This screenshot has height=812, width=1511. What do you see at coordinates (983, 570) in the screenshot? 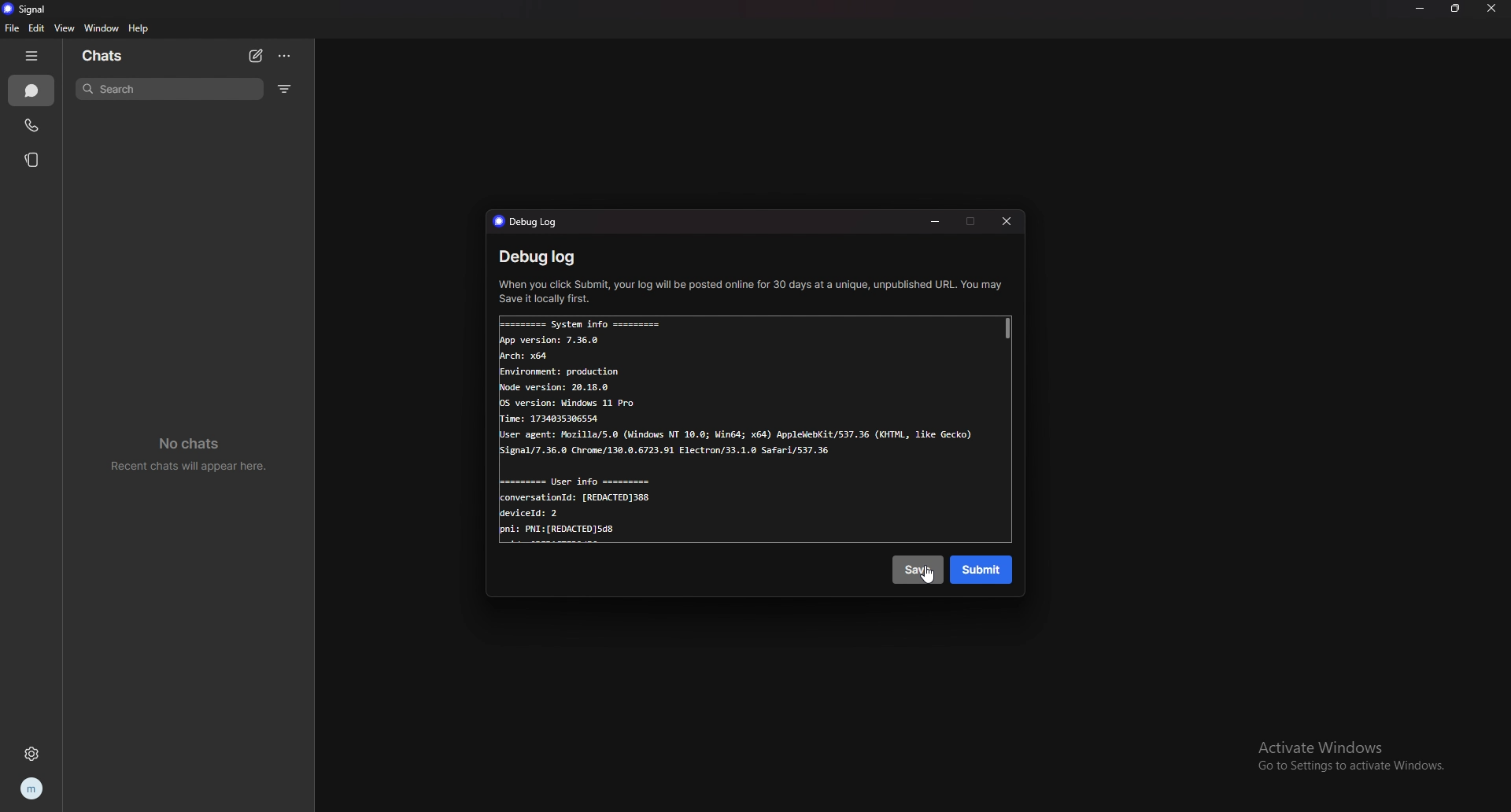
I see `submit` at bounding box center [983, 570].